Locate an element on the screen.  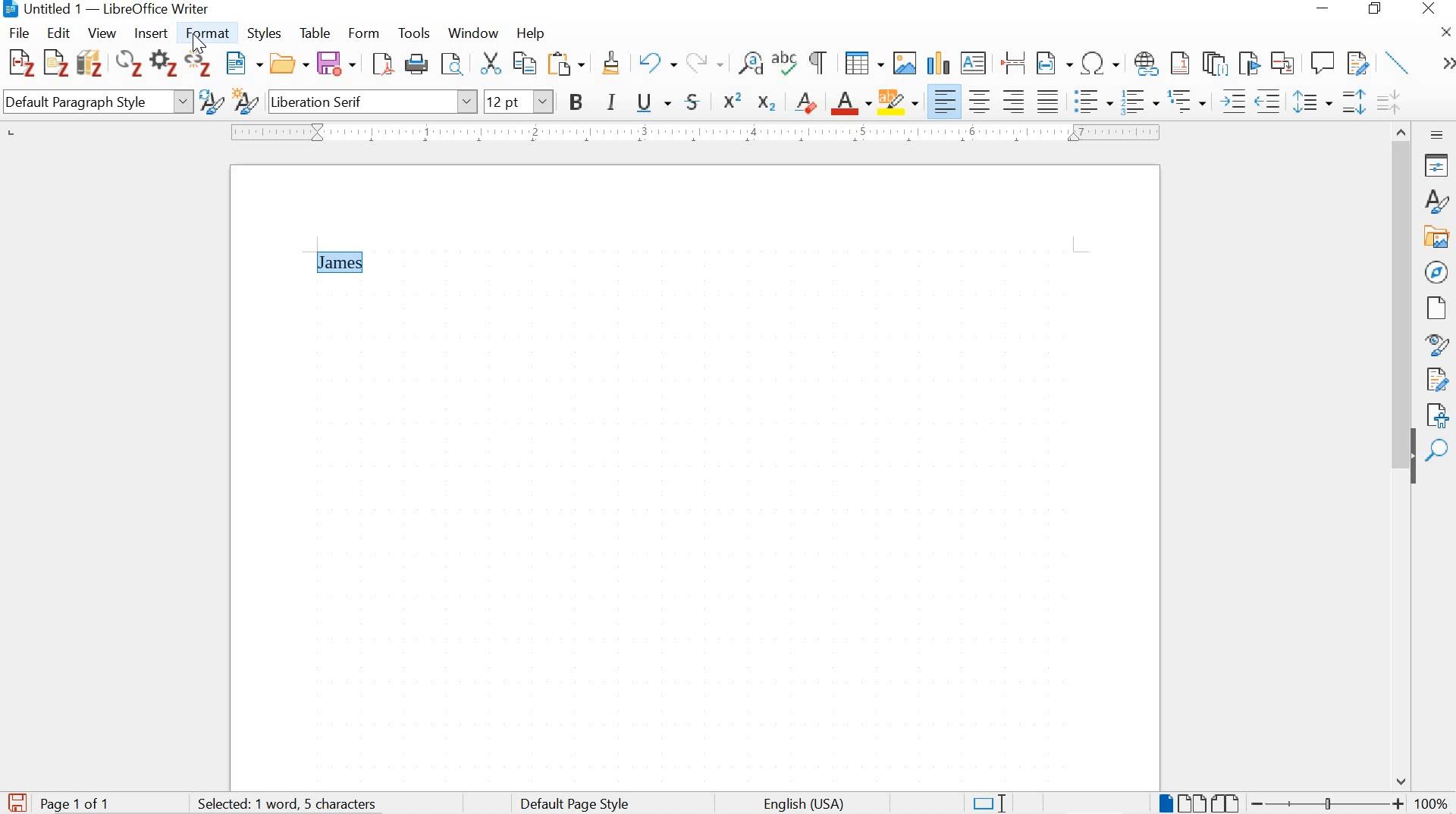
decrease indent is located at coordinates (1270, 101).